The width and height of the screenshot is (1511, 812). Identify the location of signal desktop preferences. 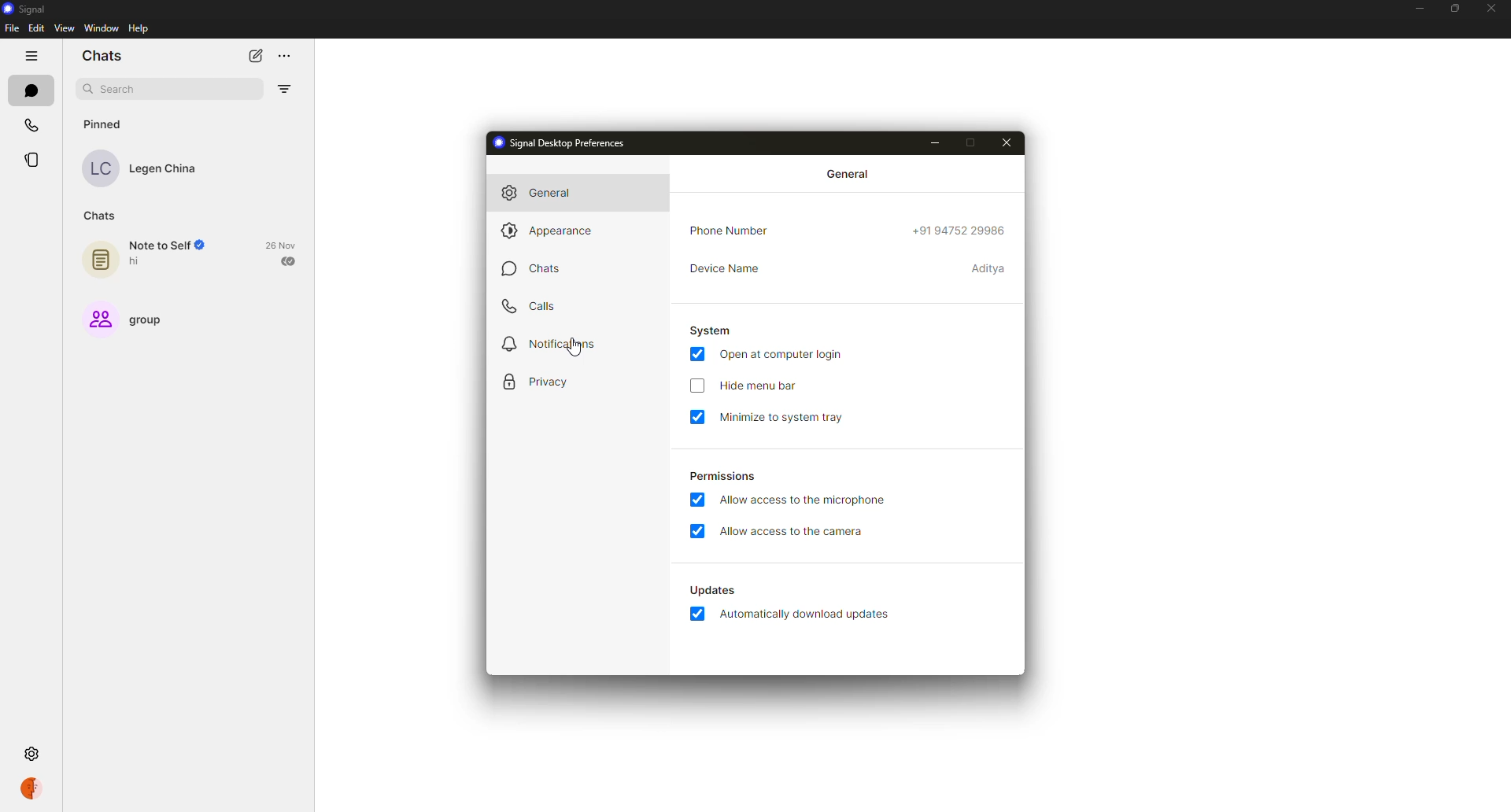
(558, 142).